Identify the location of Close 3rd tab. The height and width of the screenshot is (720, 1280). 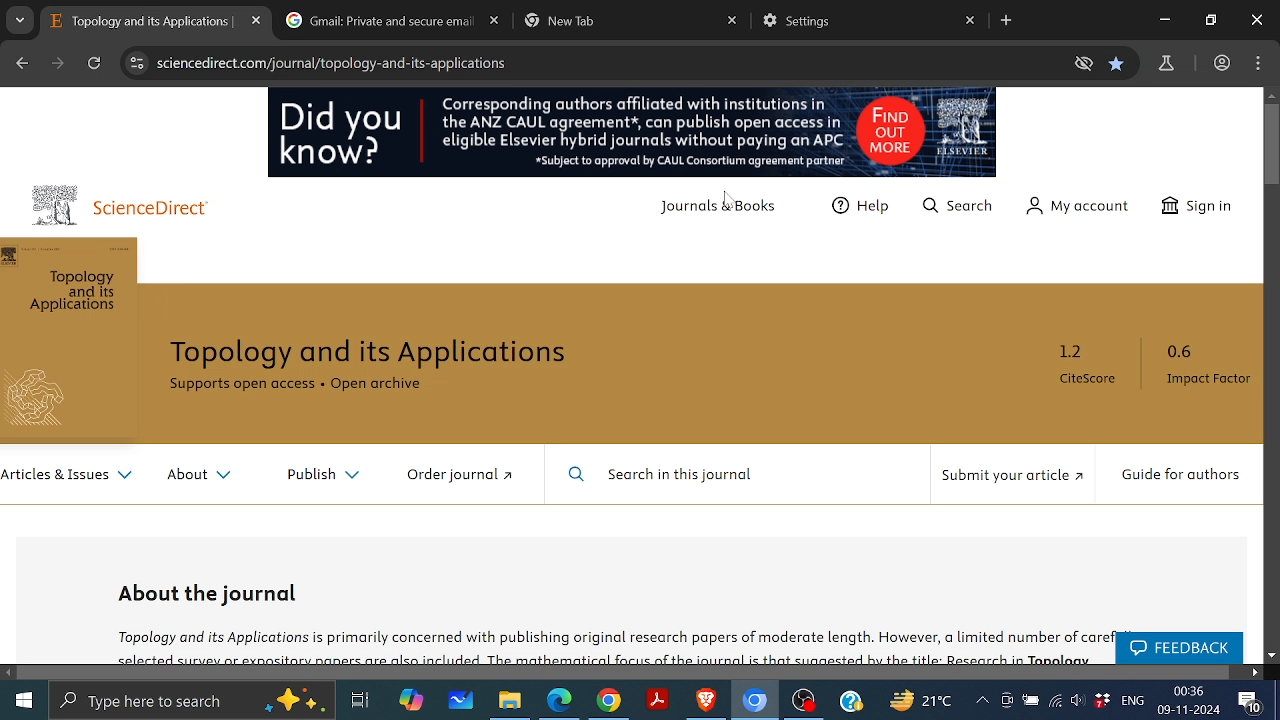
(732, 20).